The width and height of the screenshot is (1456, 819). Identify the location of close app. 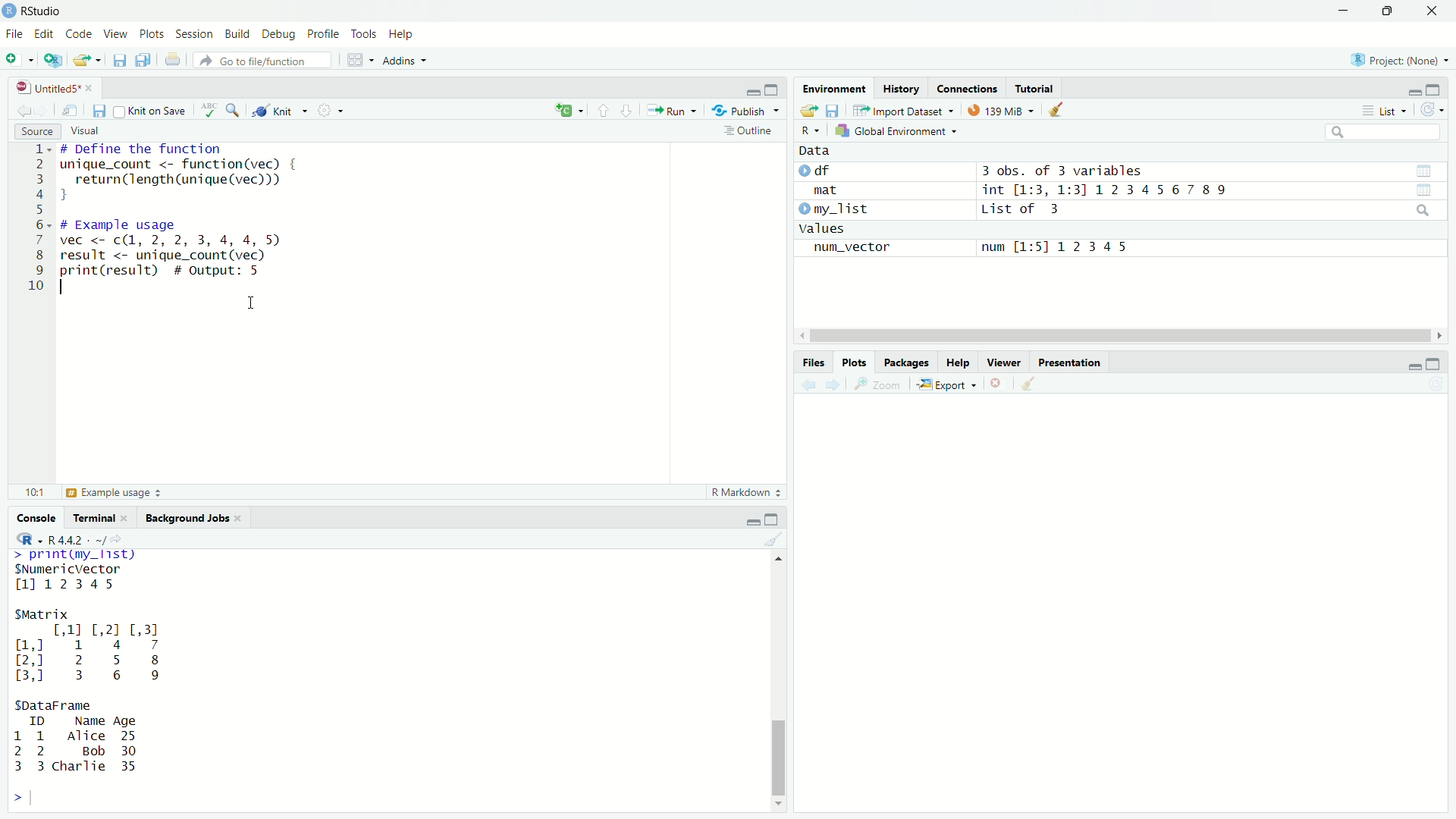
(1433, 12).